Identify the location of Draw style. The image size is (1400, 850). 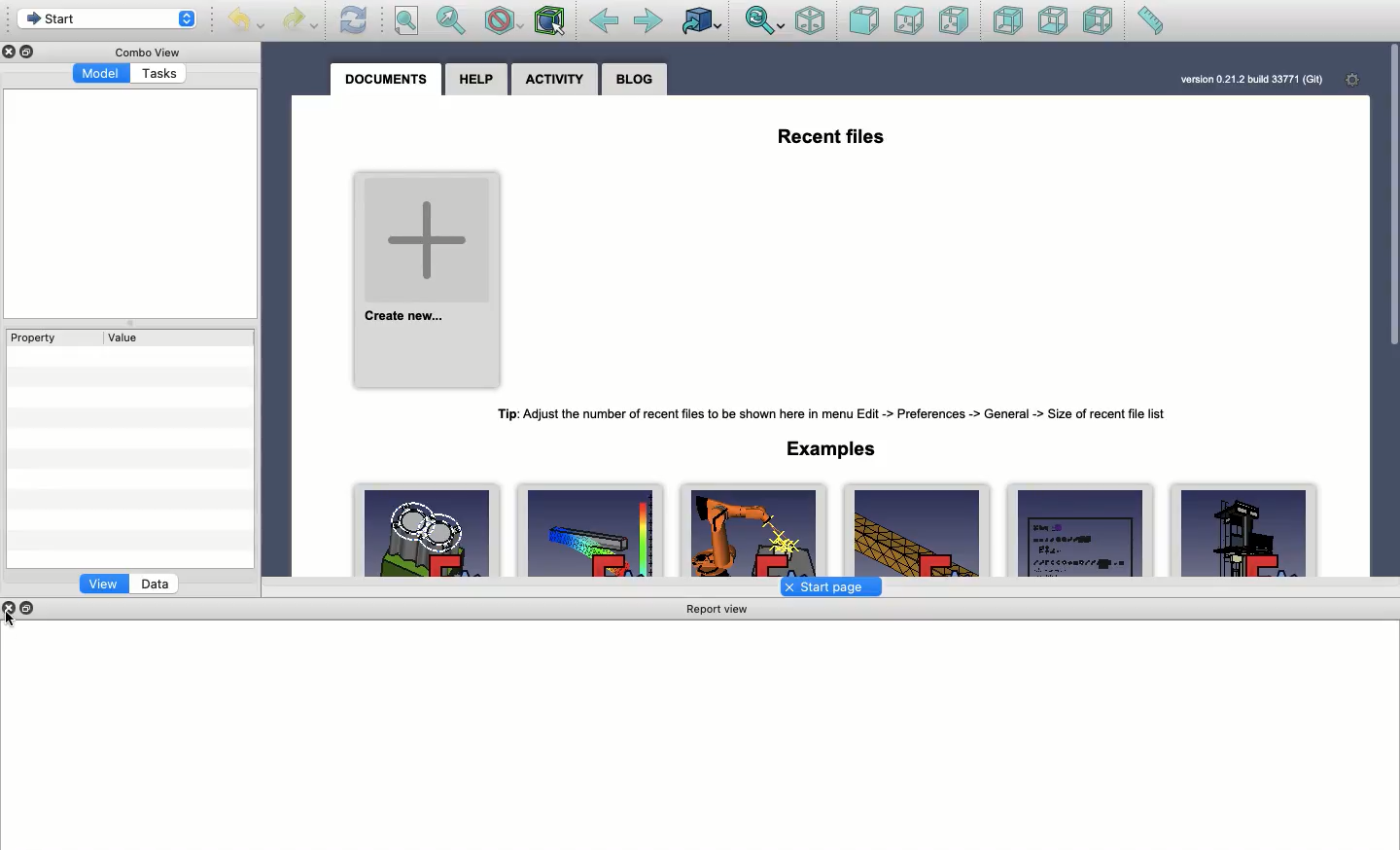
(503, 22).